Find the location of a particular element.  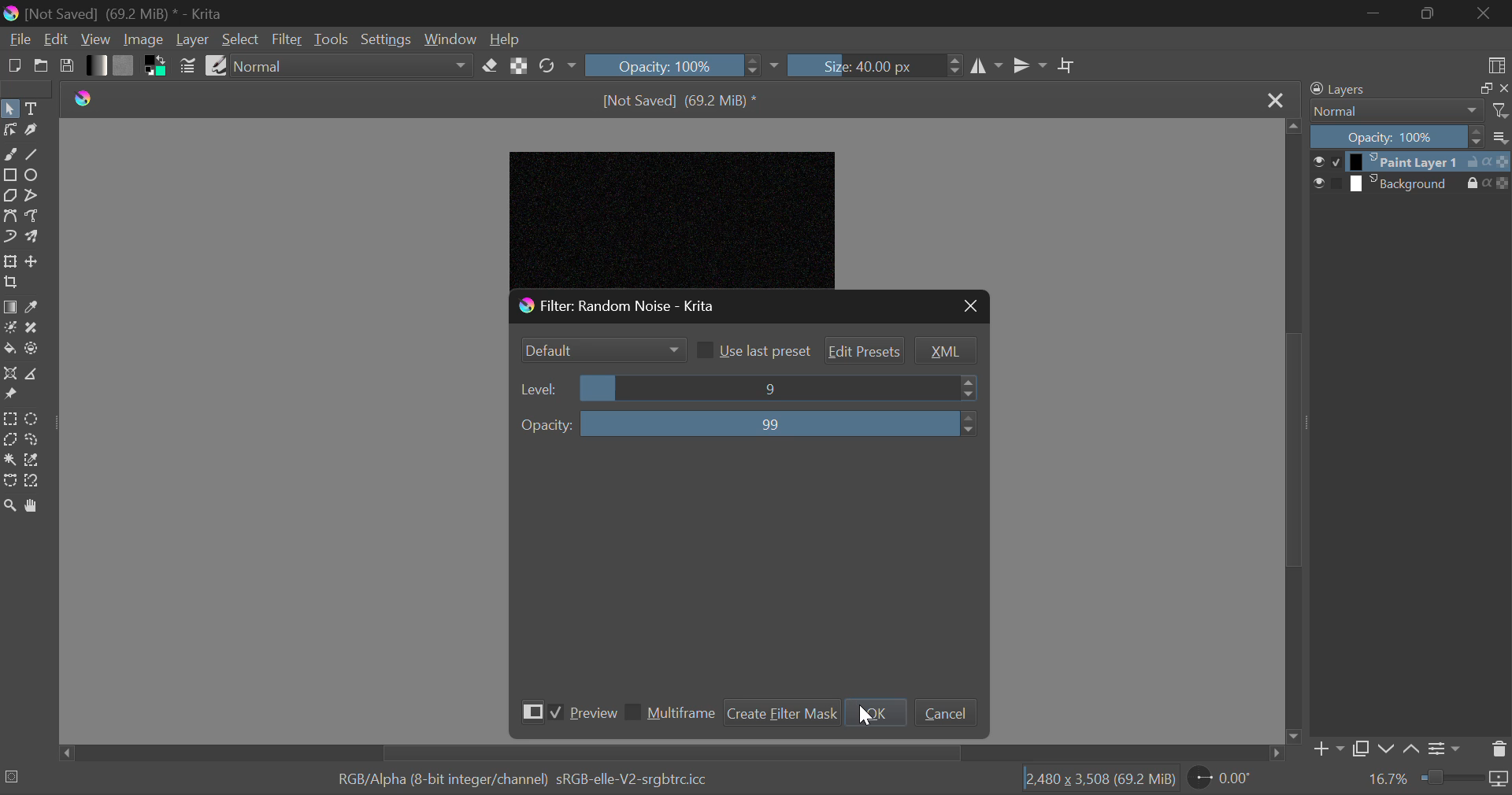

slider is located at coordinates (784, 423).